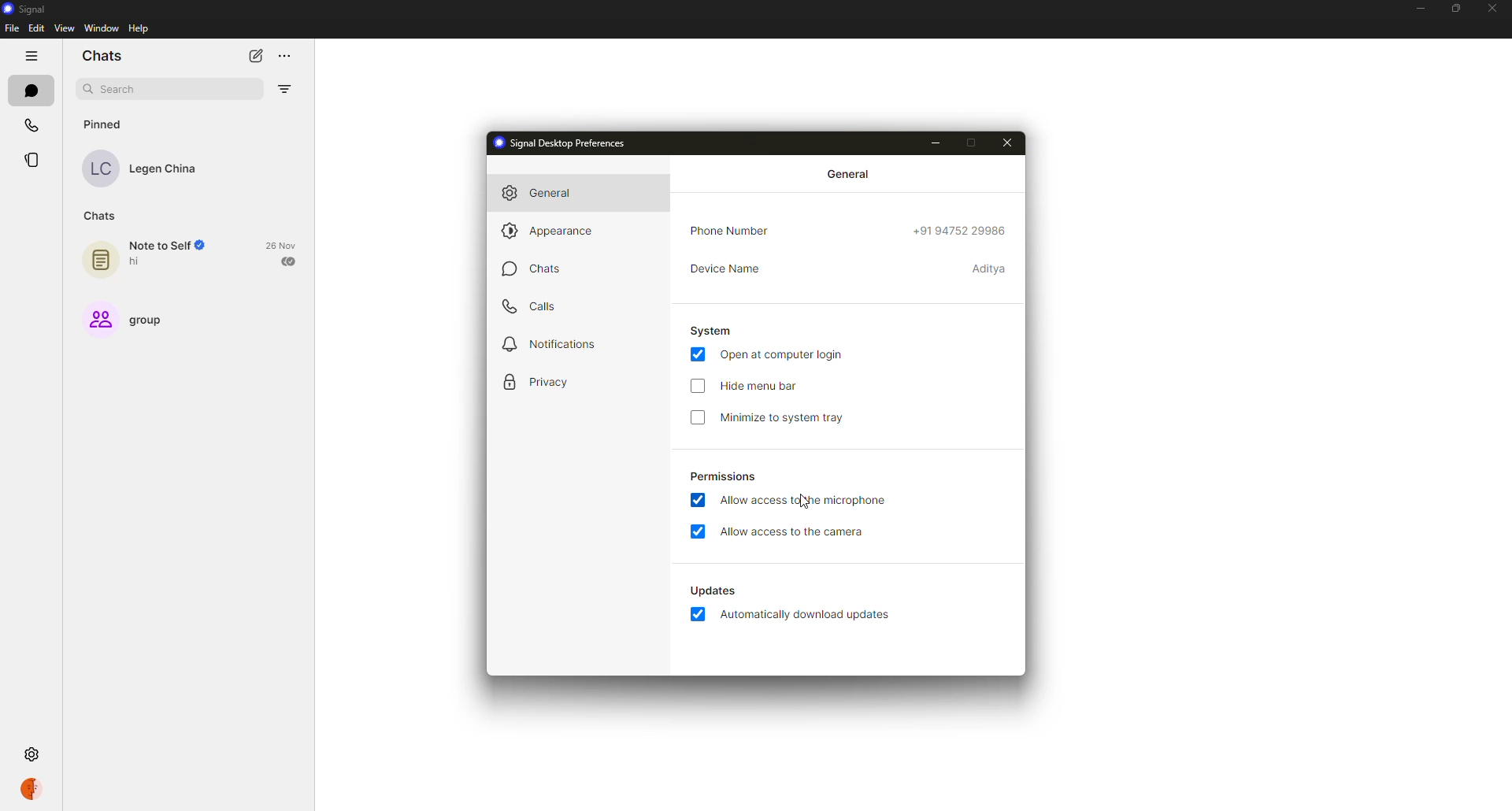 Image resolution: width=1512 pixels, height=811 pixels. Describe the element at coordinates (34, 159) in the screenshot. I see `stories` at that location.